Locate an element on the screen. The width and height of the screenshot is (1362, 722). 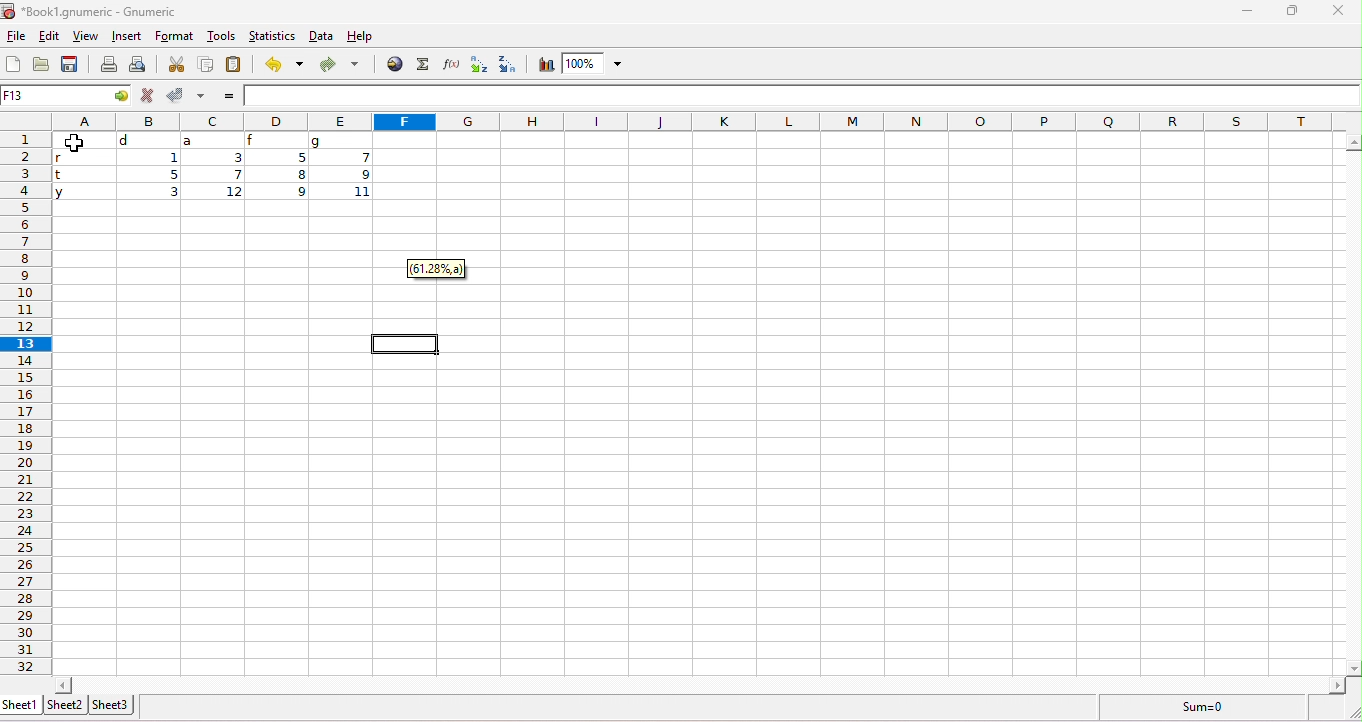
cut is located at coordinates (179, 64).